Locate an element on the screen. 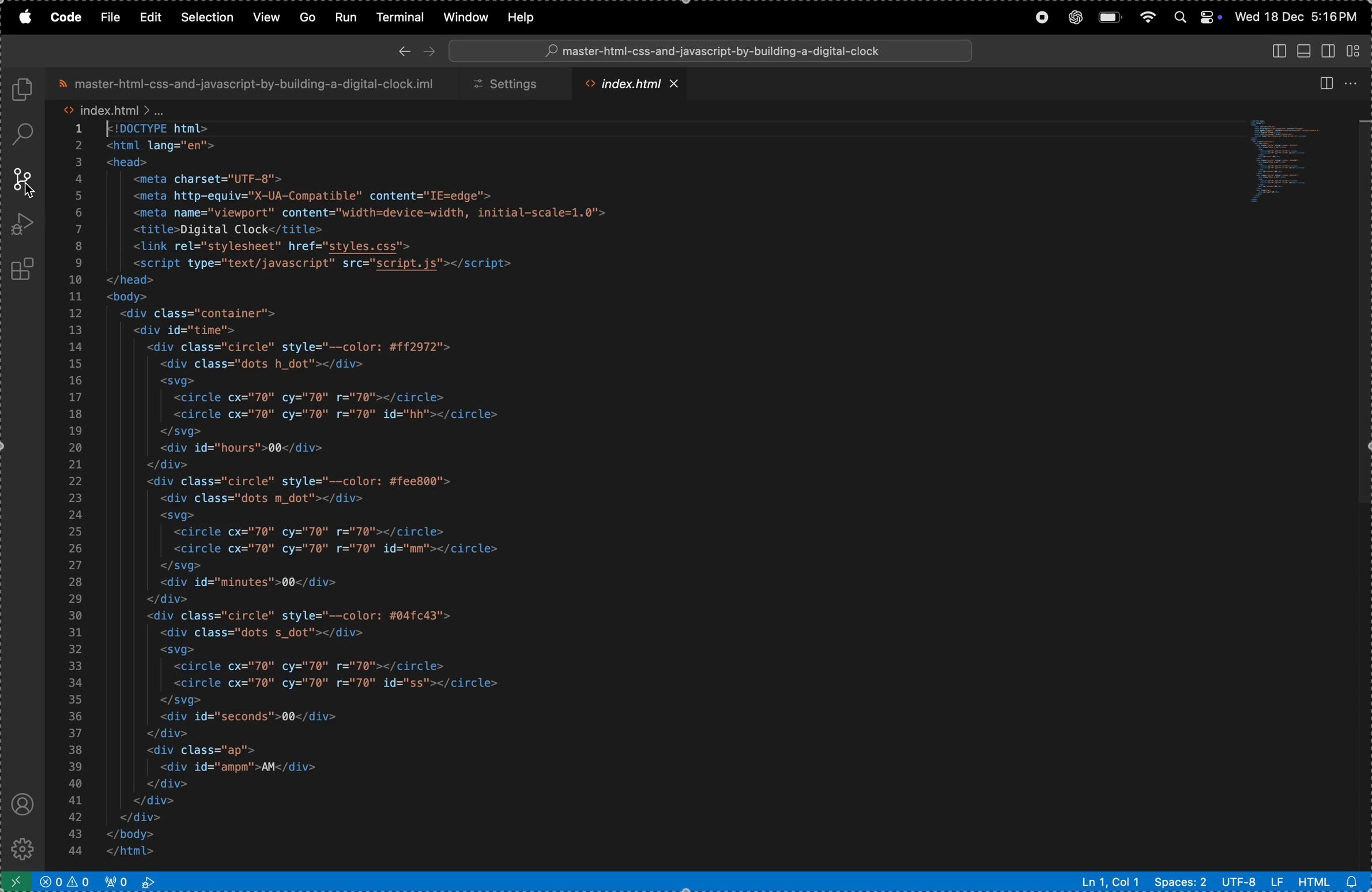 This screenshot has height=892, width=1372. edit is located at coordinates (153, 17).